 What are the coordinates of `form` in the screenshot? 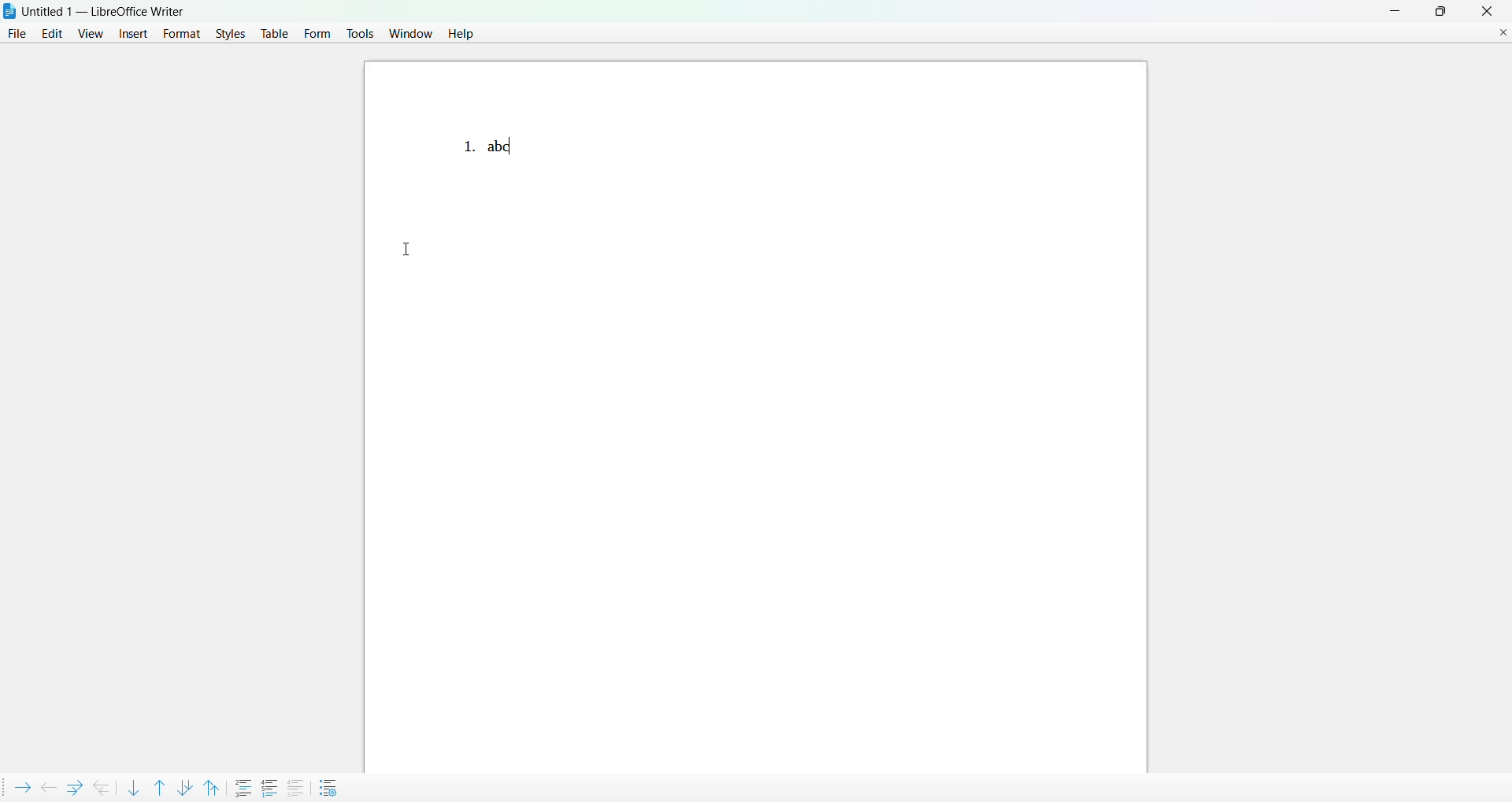 It's located at (318, 32).